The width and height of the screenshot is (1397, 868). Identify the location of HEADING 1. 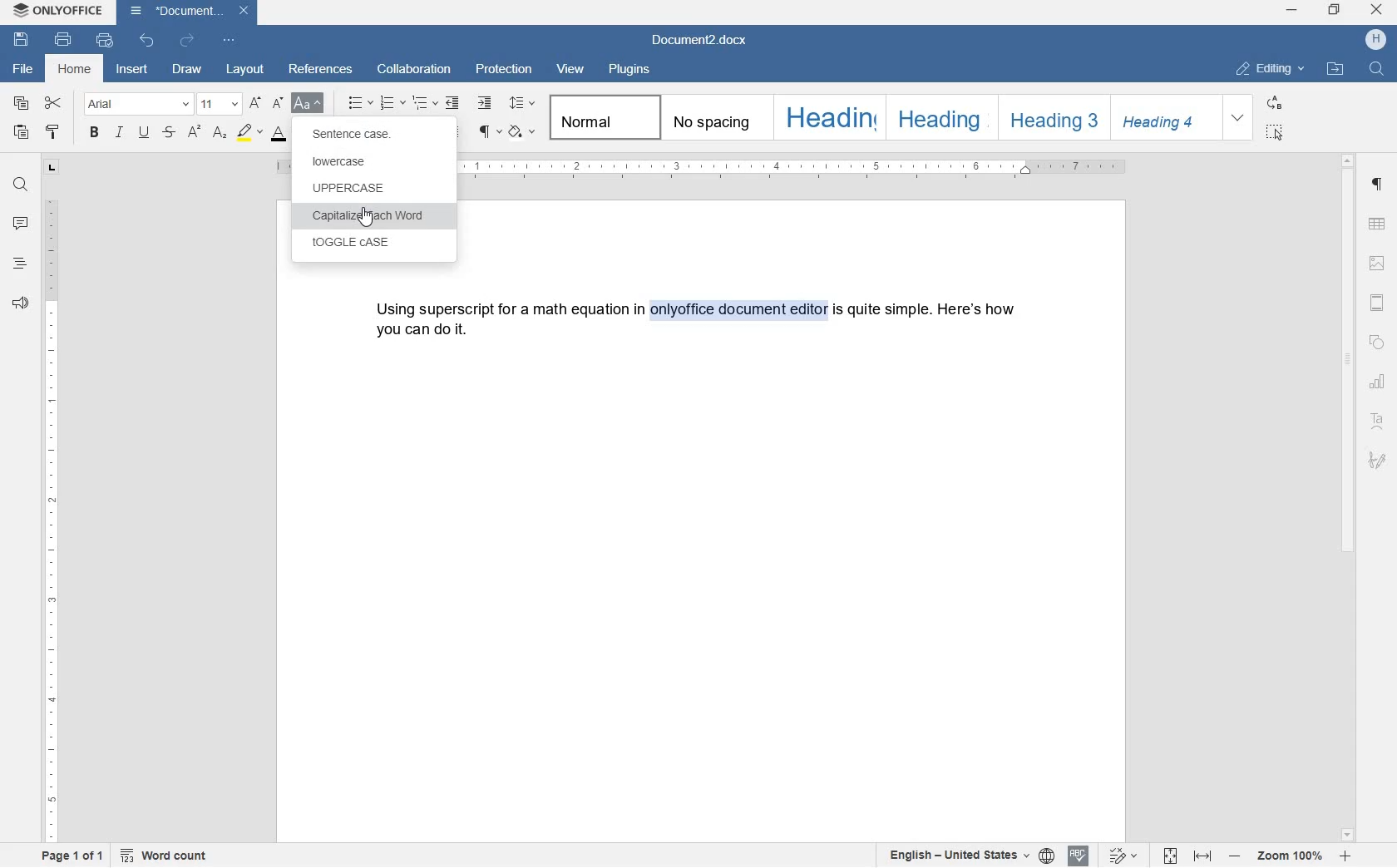
(827, 118).